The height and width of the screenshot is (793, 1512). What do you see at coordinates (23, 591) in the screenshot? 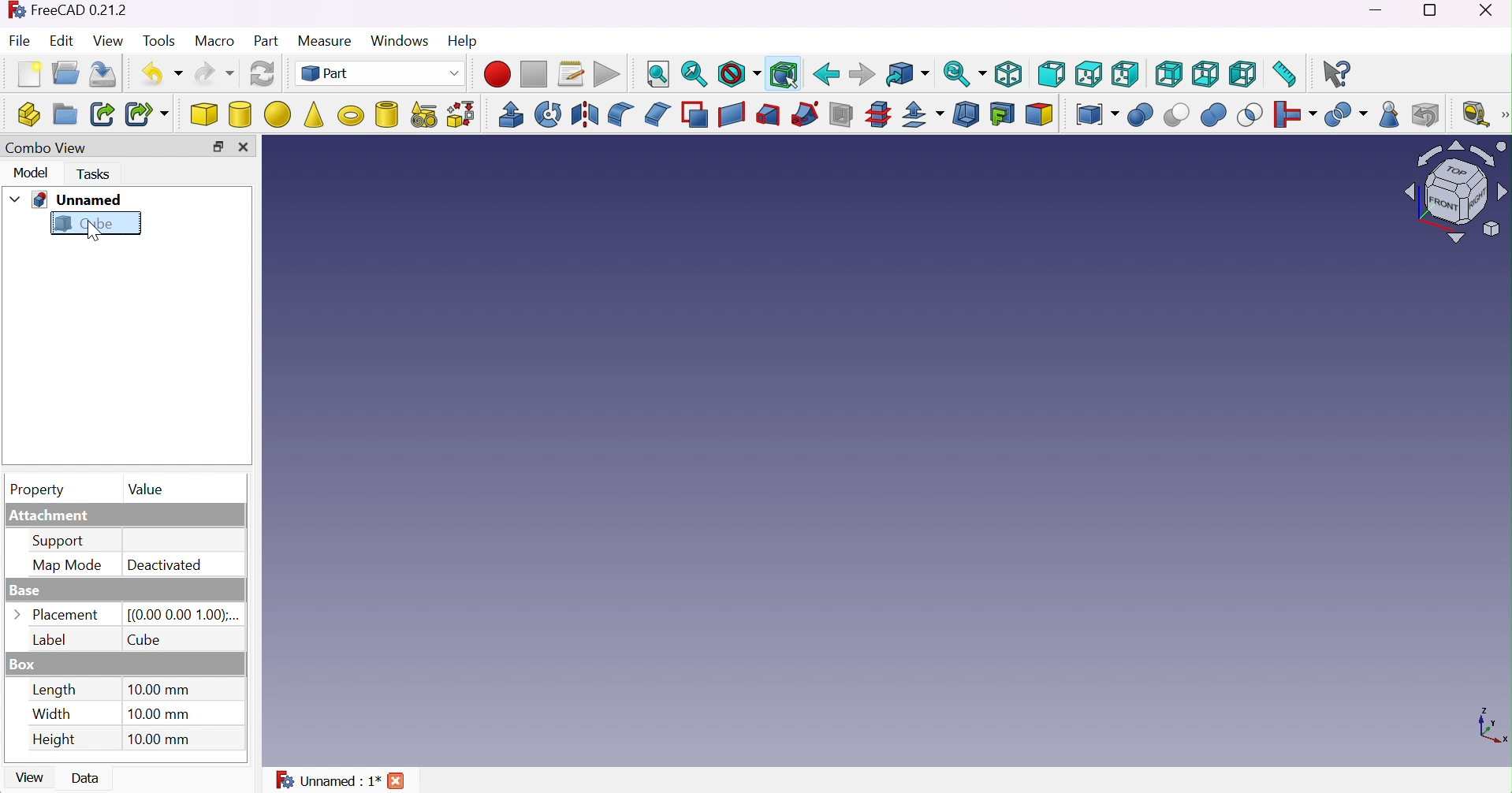
I see `Base` at bounding box center [23, 591].